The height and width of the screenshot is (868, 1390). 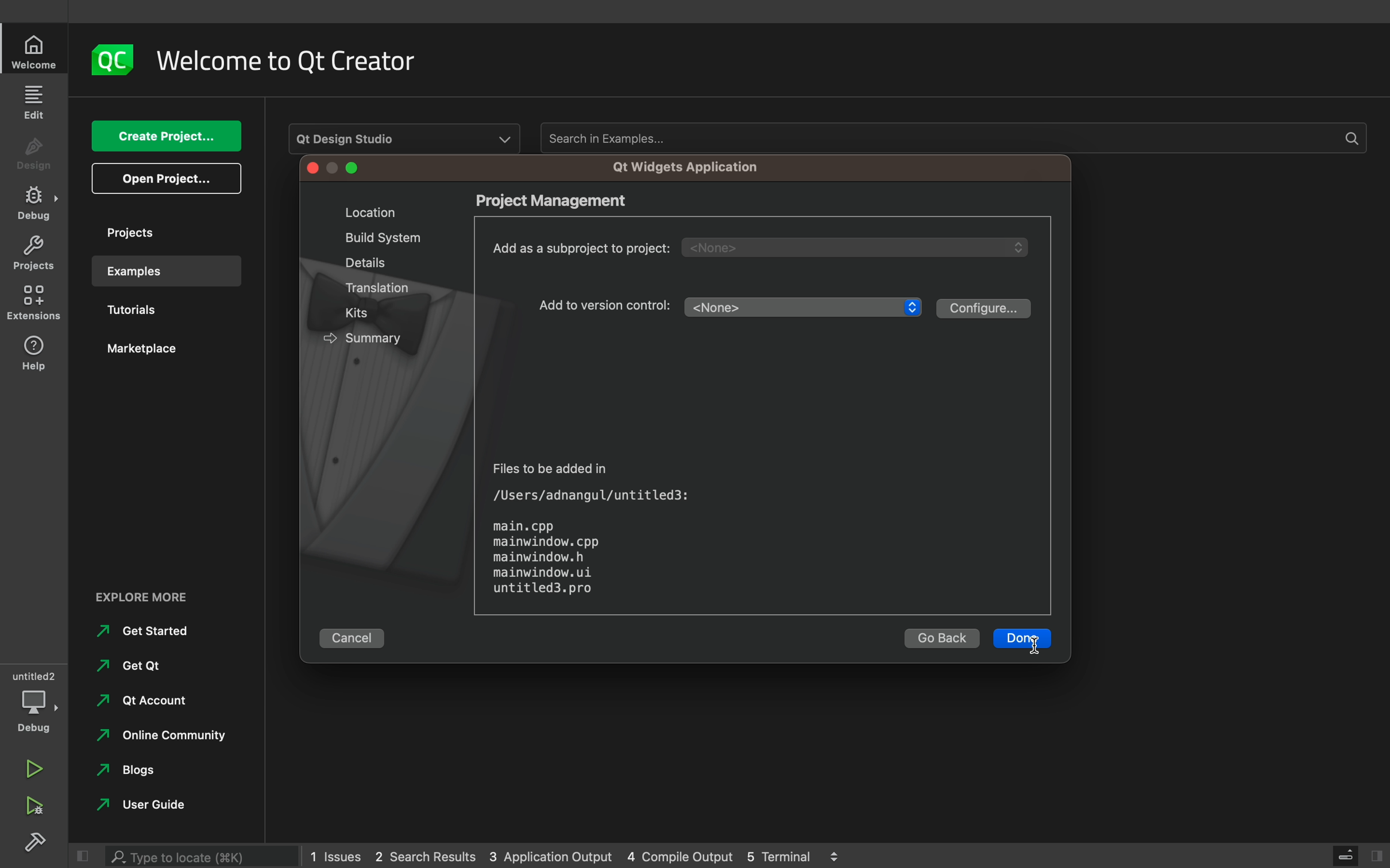 I want to click on increase/decrease button, so click(x=913, y=312).